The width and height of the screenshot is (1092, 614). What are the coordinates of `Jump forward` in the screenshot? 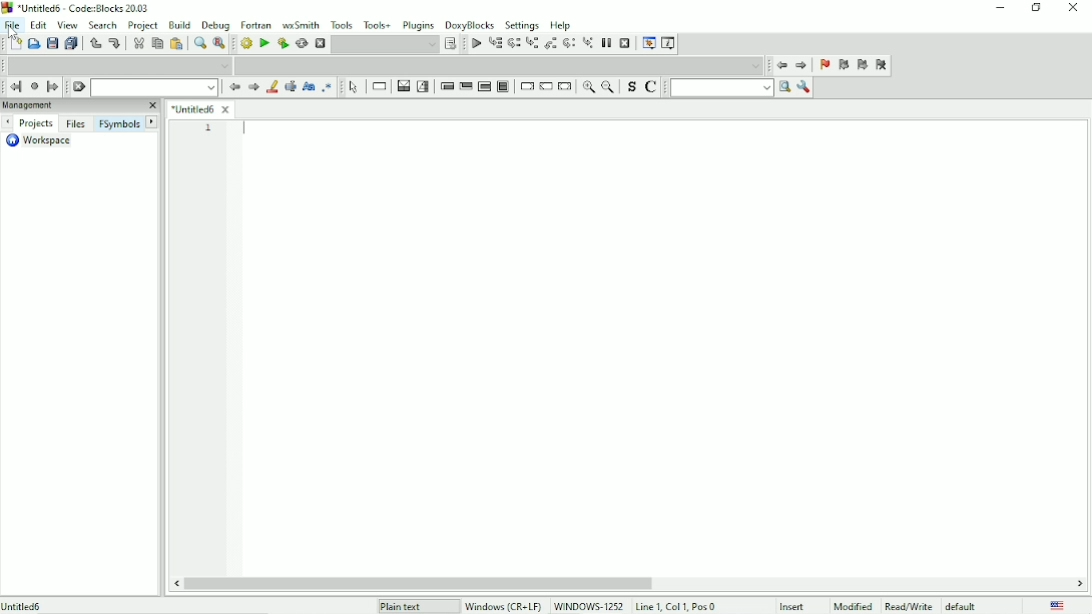 It's located at (53, 87).